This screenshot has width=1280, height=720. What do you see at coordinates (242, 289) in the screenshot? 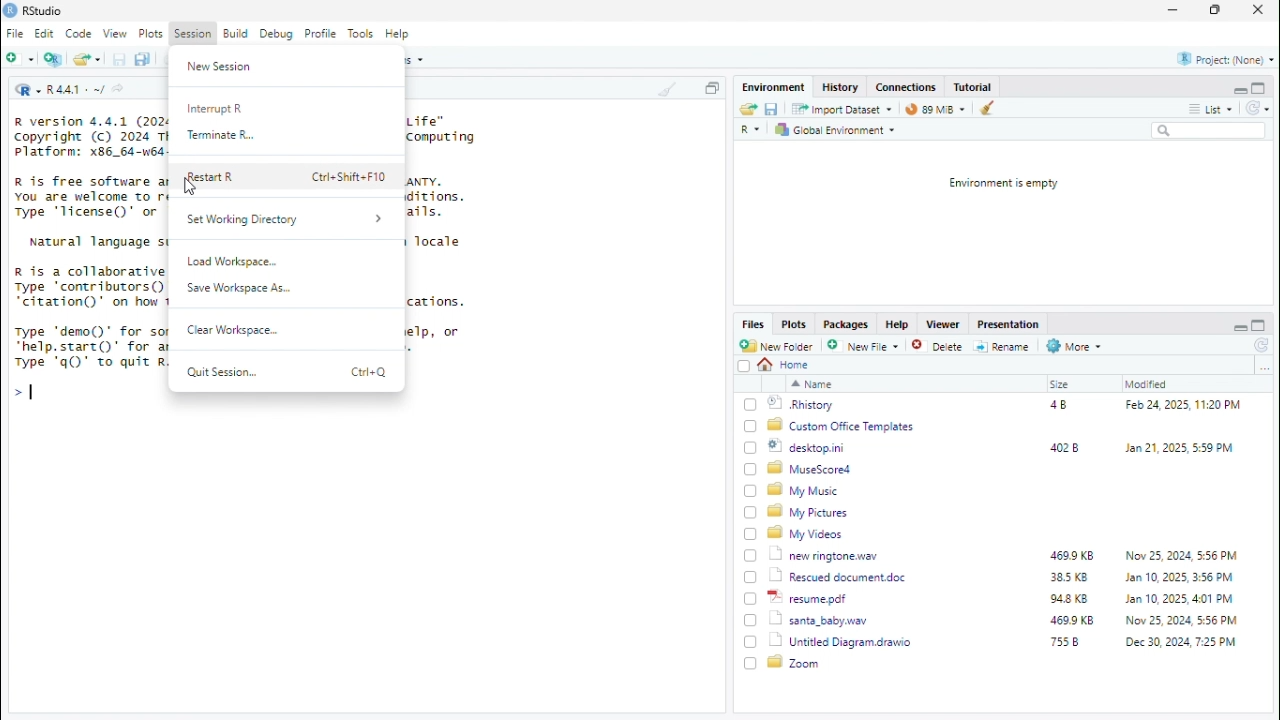
I see `‘Save Workspace As.` at bounding box center [242, 289].